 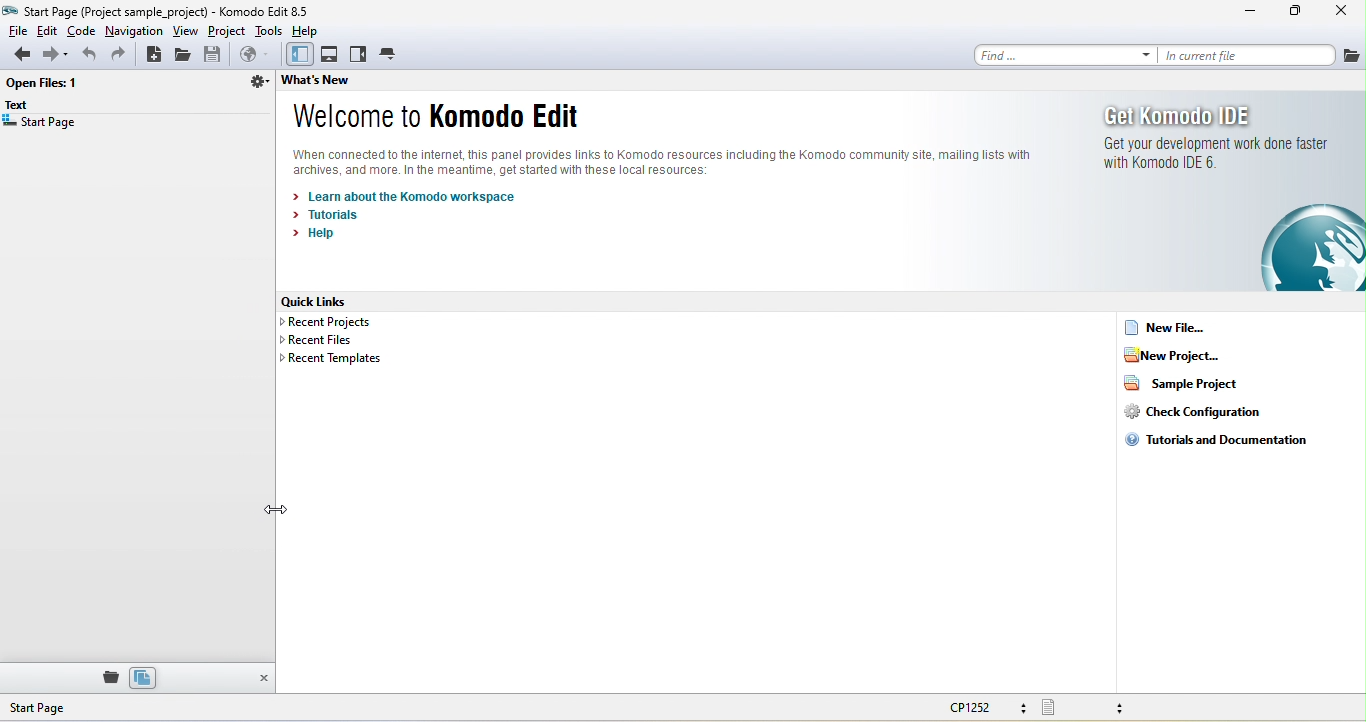 What do you see at coordinates (1246, 55) in the screenshot?
I see `in current file` at bounding box center [1246, 55].